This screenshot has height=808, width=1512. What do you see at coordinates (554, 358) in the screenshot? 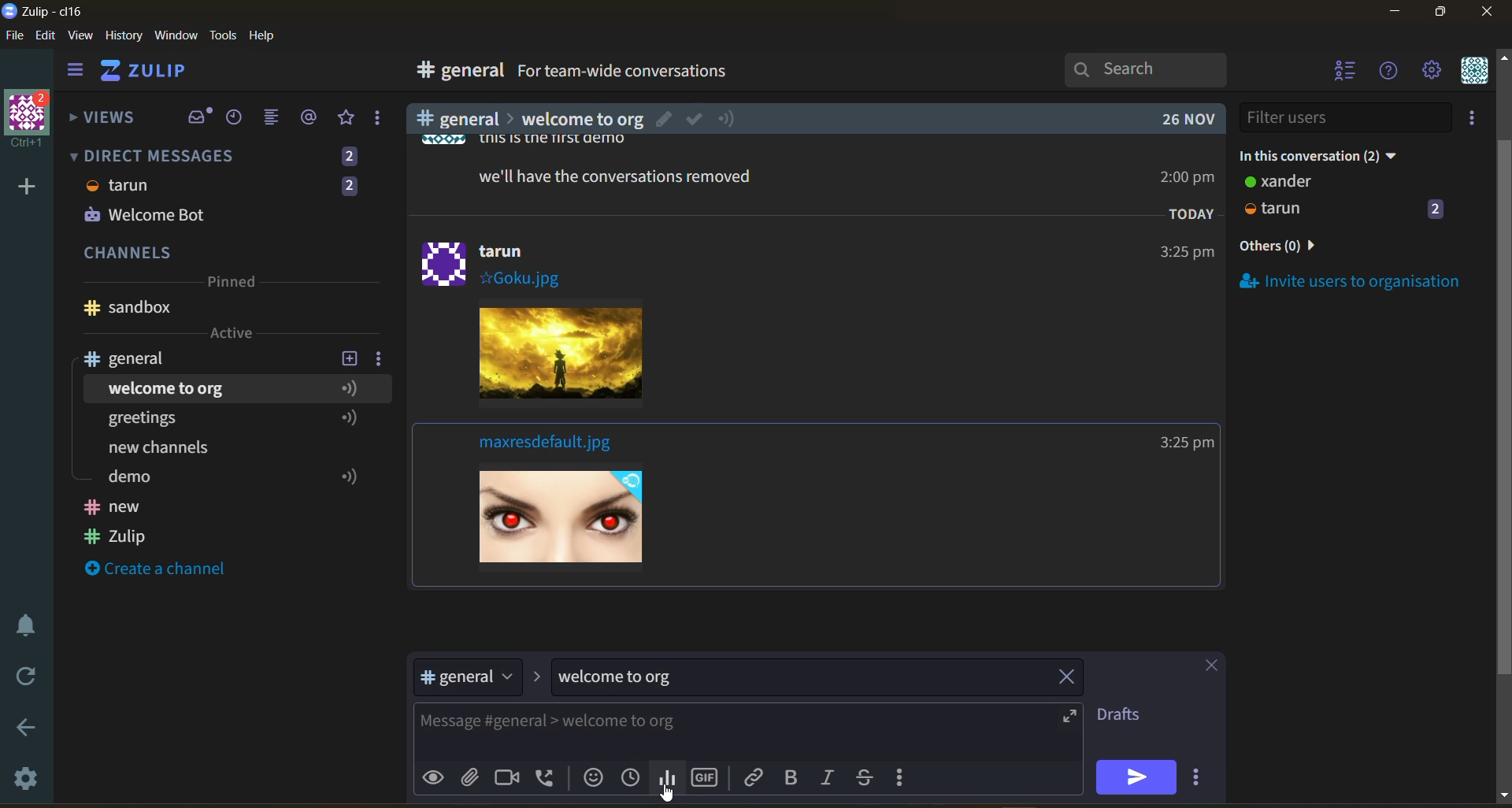
I see `` at bounding box center [554, 358].